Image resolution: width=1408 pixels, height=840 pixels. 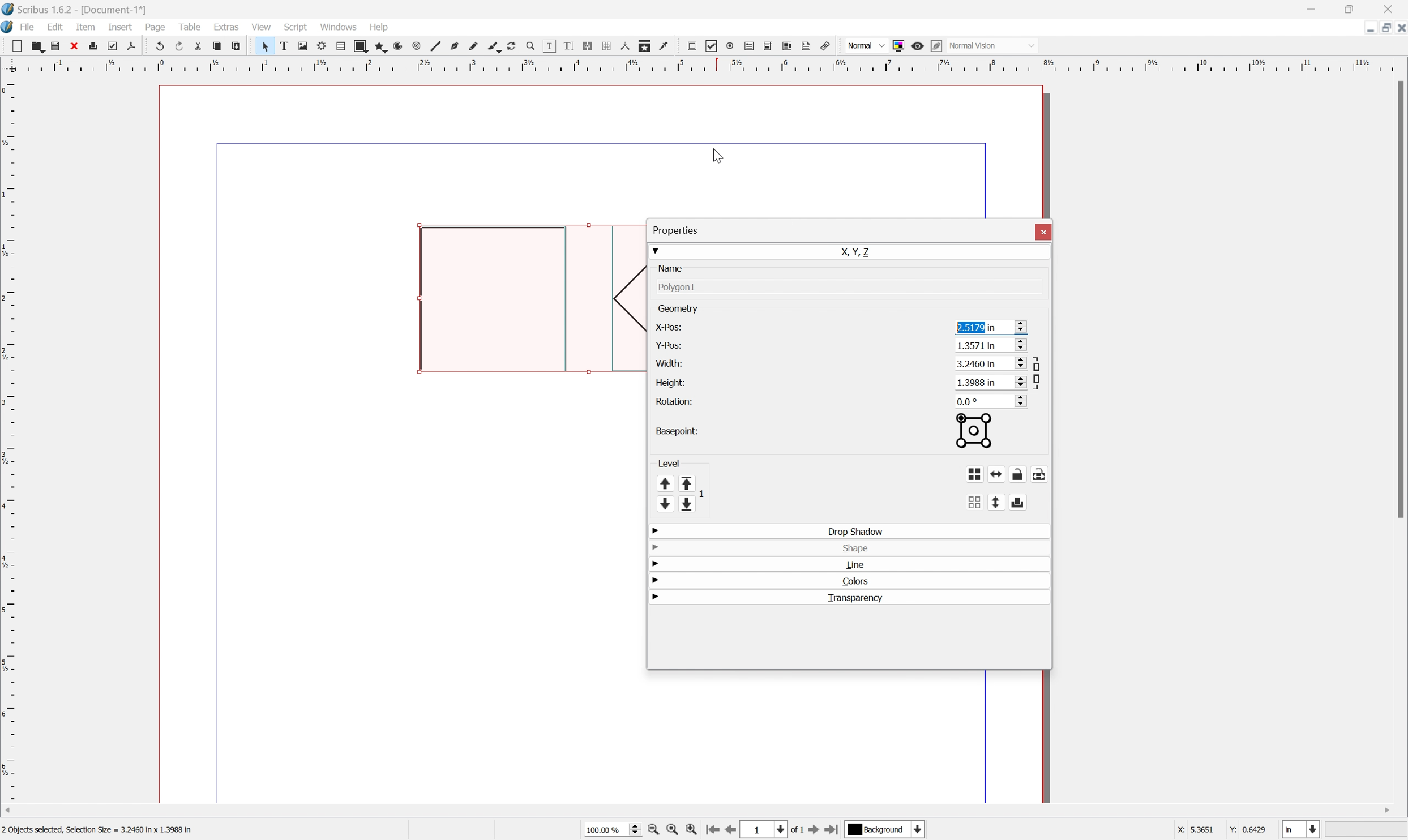 What do you see at coordinates (973, 473) in the screenshot?
I see `group object` at bounding box center [973, 473].